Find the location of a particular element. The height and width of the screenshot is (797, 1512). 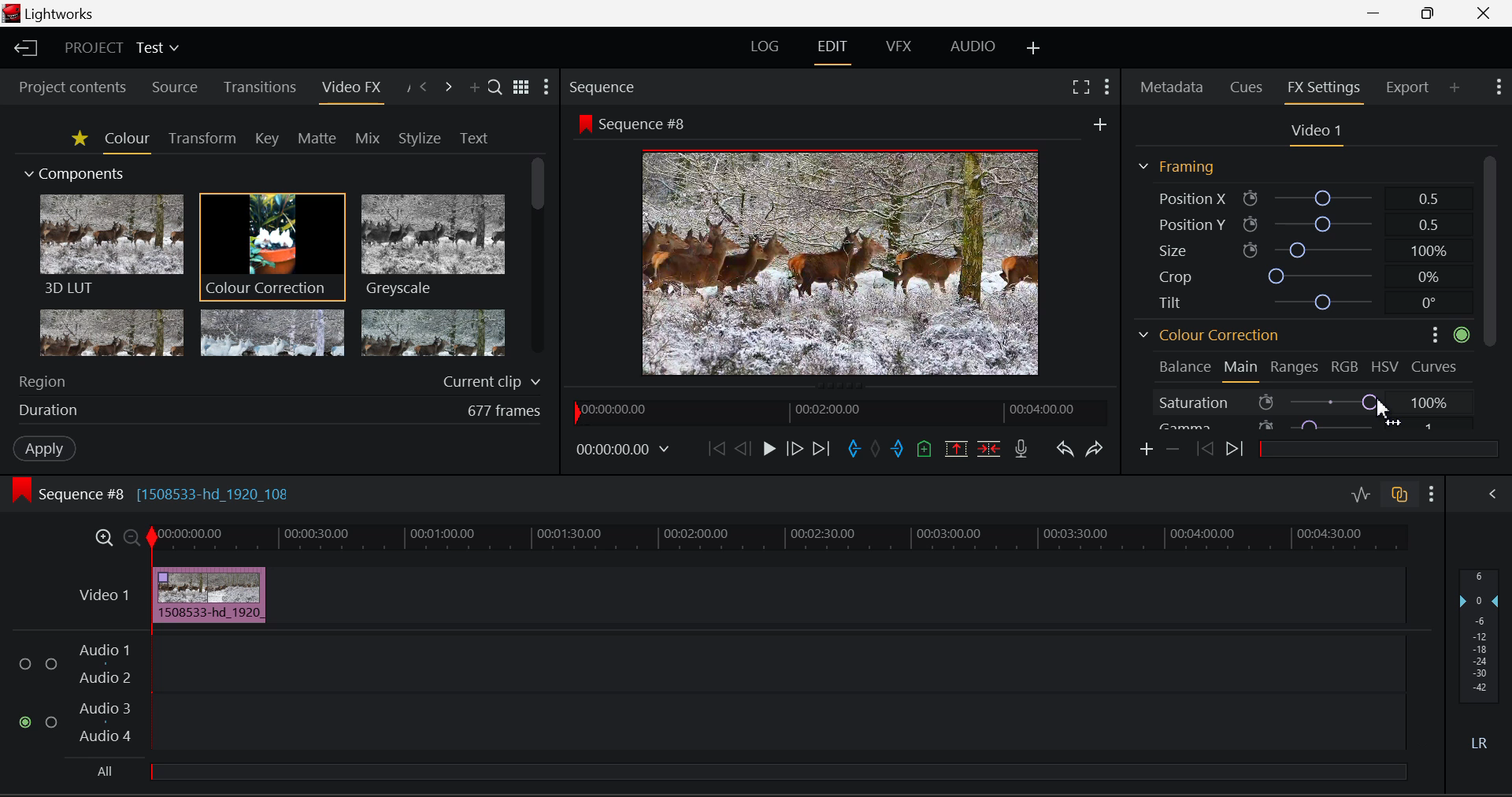

VFX is located at coordinates (898, 48).